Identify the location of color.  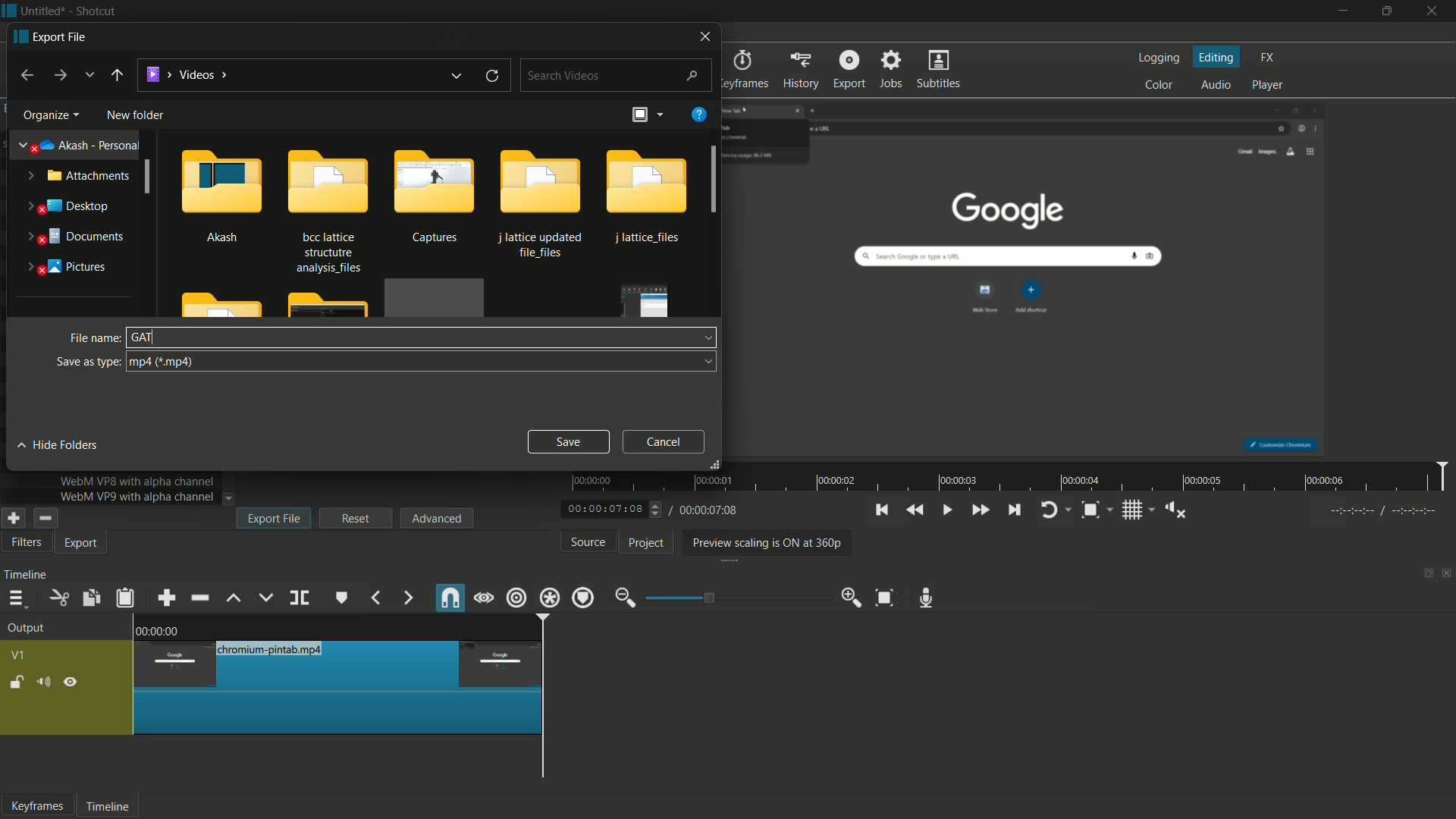
(1161, 84).